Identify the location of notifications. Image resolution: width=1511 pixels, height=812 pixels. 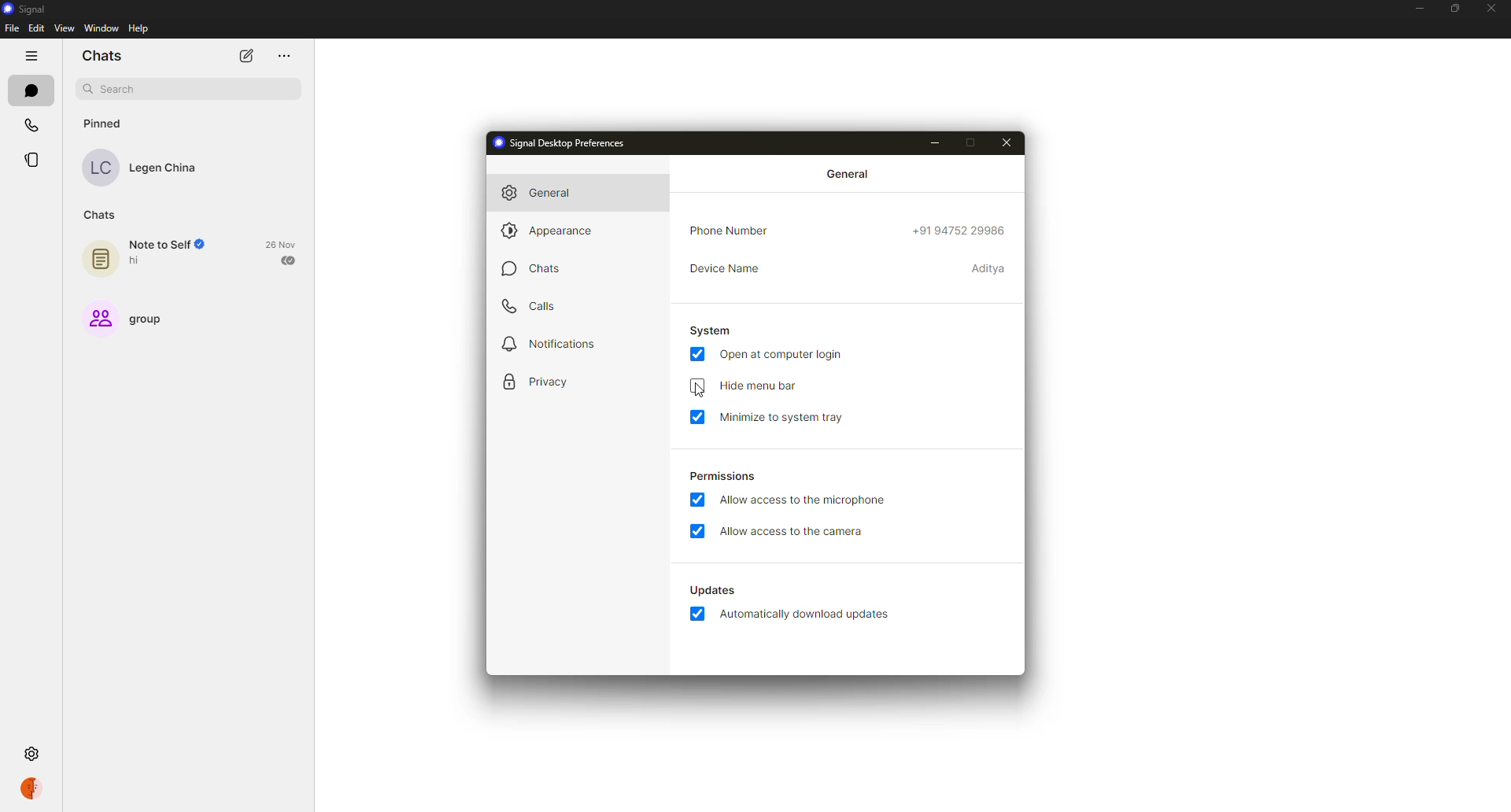
(551, 343).